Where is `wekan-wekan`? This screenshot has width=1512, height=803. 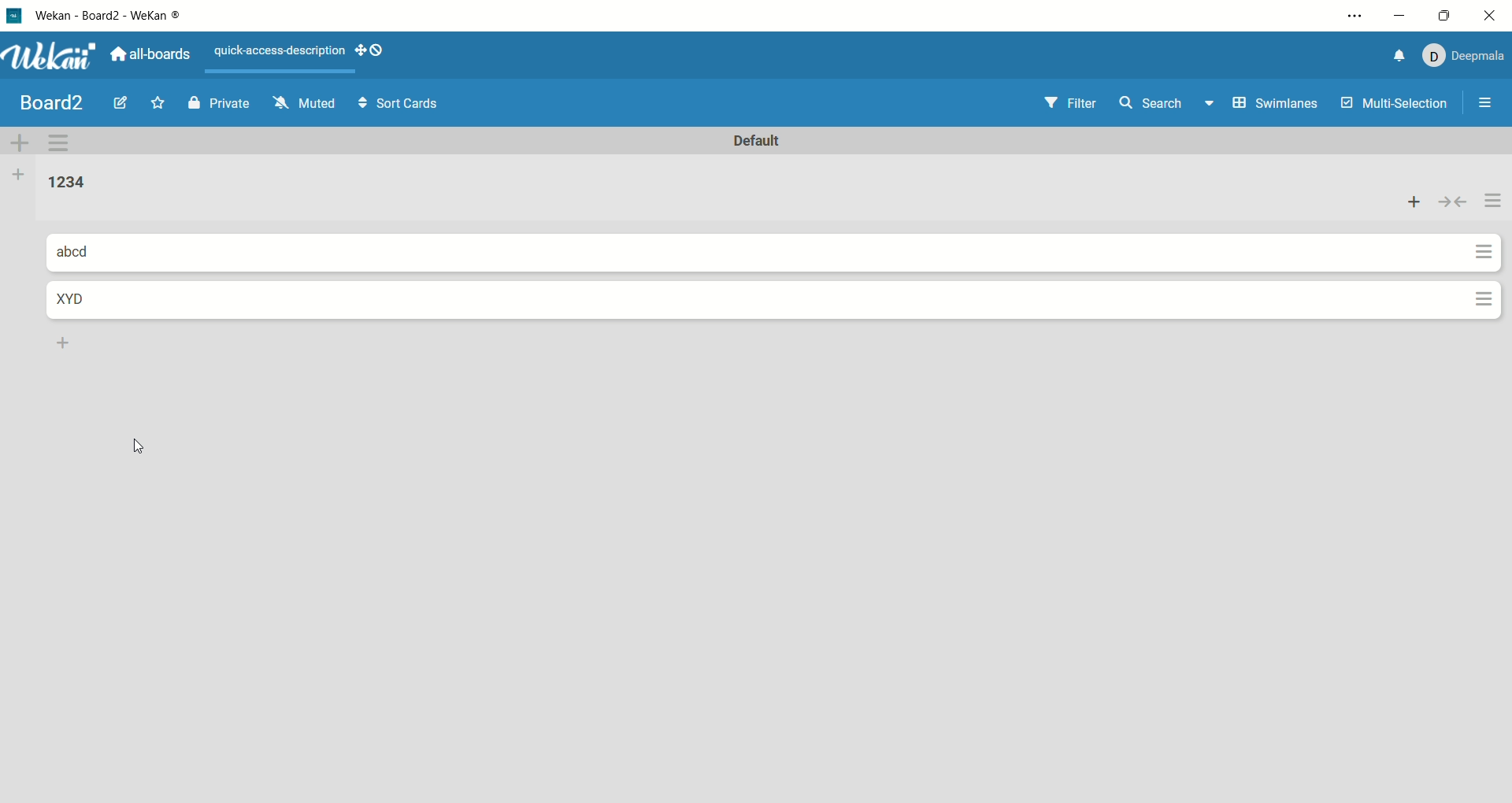 wekan-wekan is located at coordinates (115, 17).